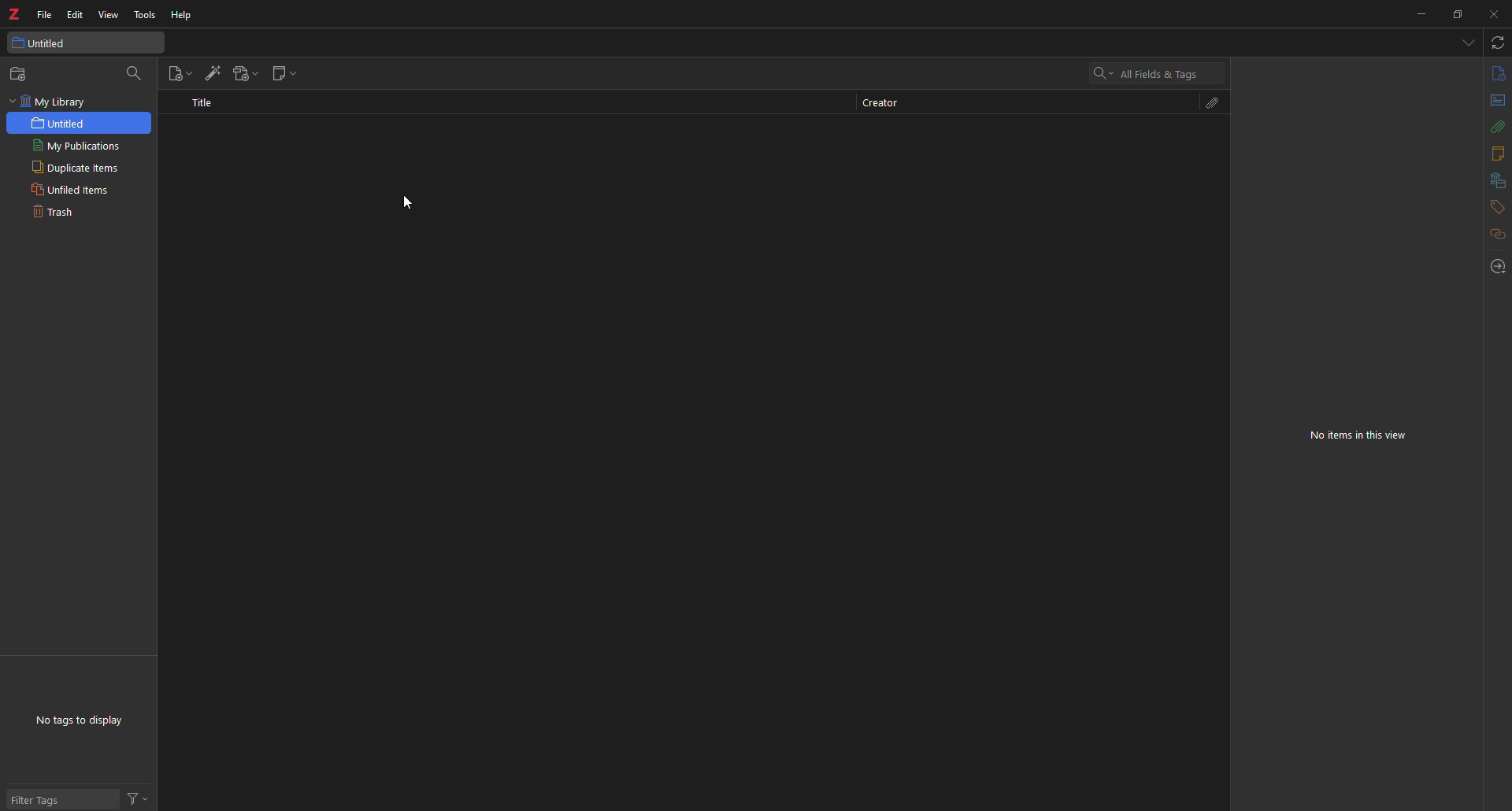 Image resolution: width=1512 pixels, height=811 pixels. I want to click on tools, so click(147, 12).